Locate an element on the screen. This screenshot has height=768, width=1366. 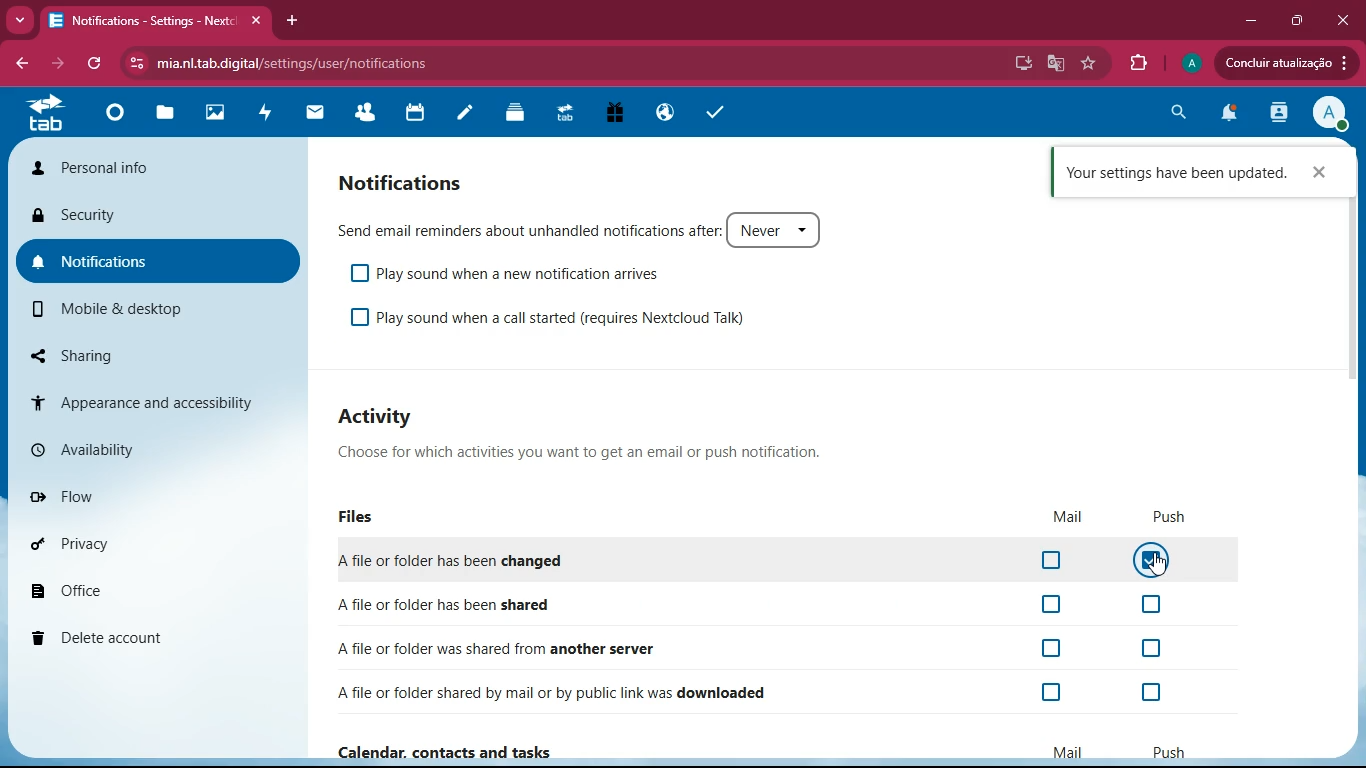
close is located at coordinates (1323, 170).